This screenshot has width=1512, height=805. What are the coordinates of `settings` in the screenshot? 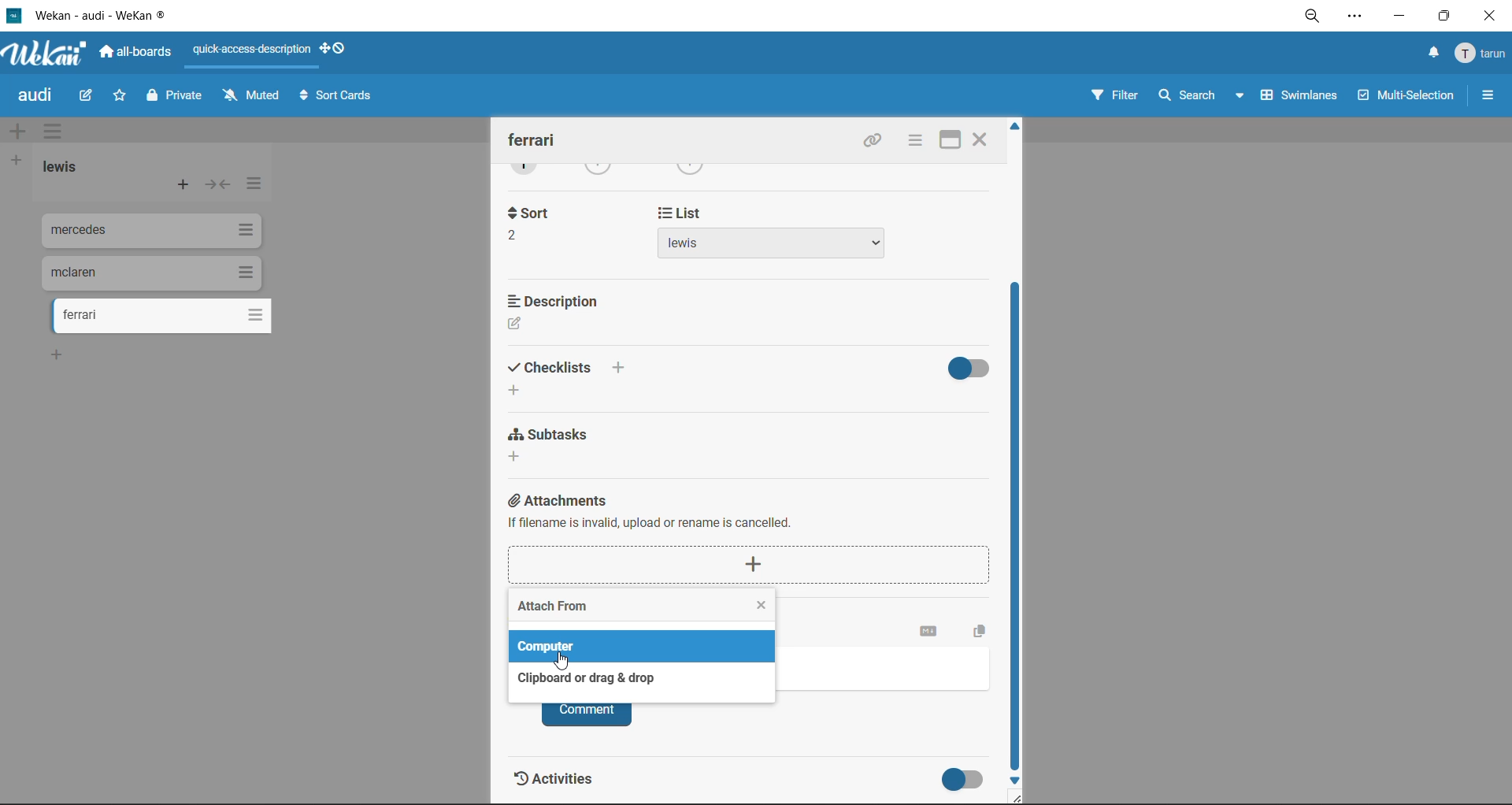 It's located at (1357, 19).